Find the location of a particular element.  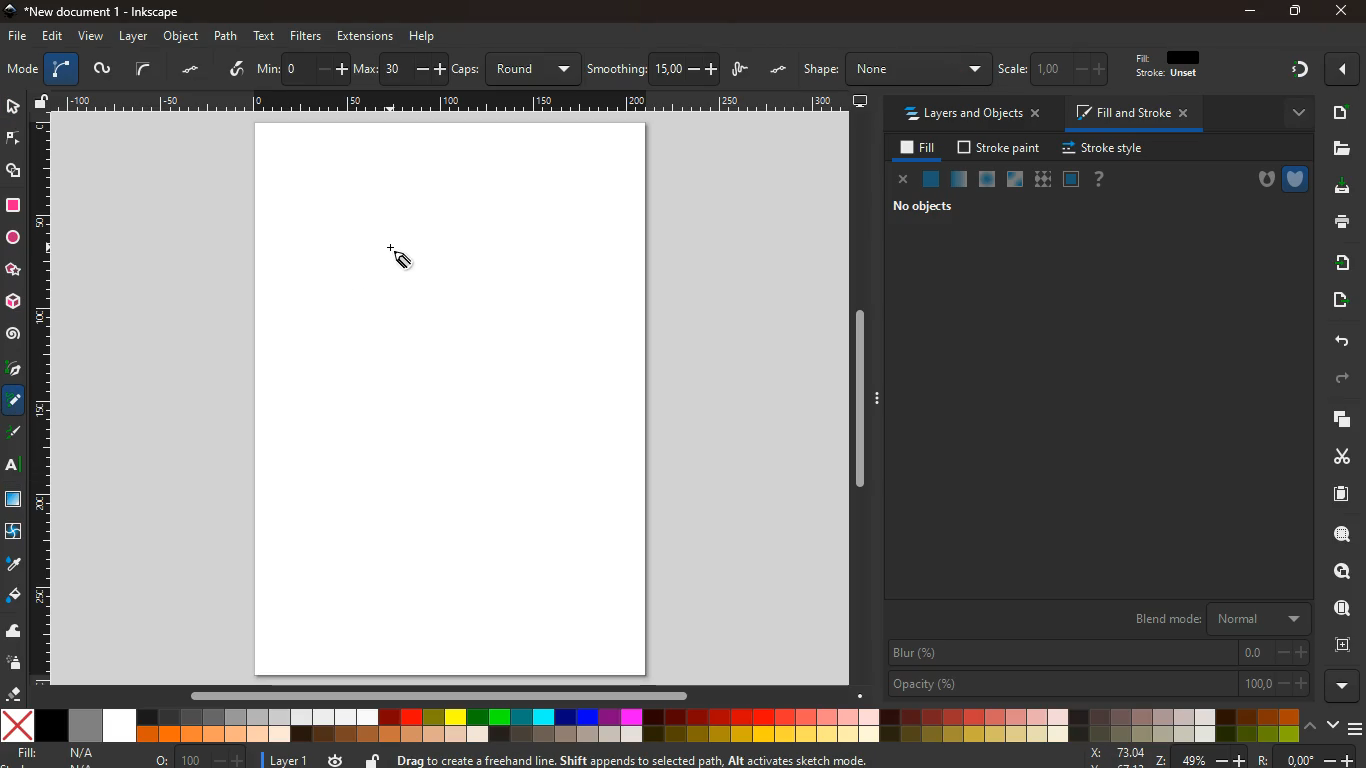

help is located at coordinates (423, 37).